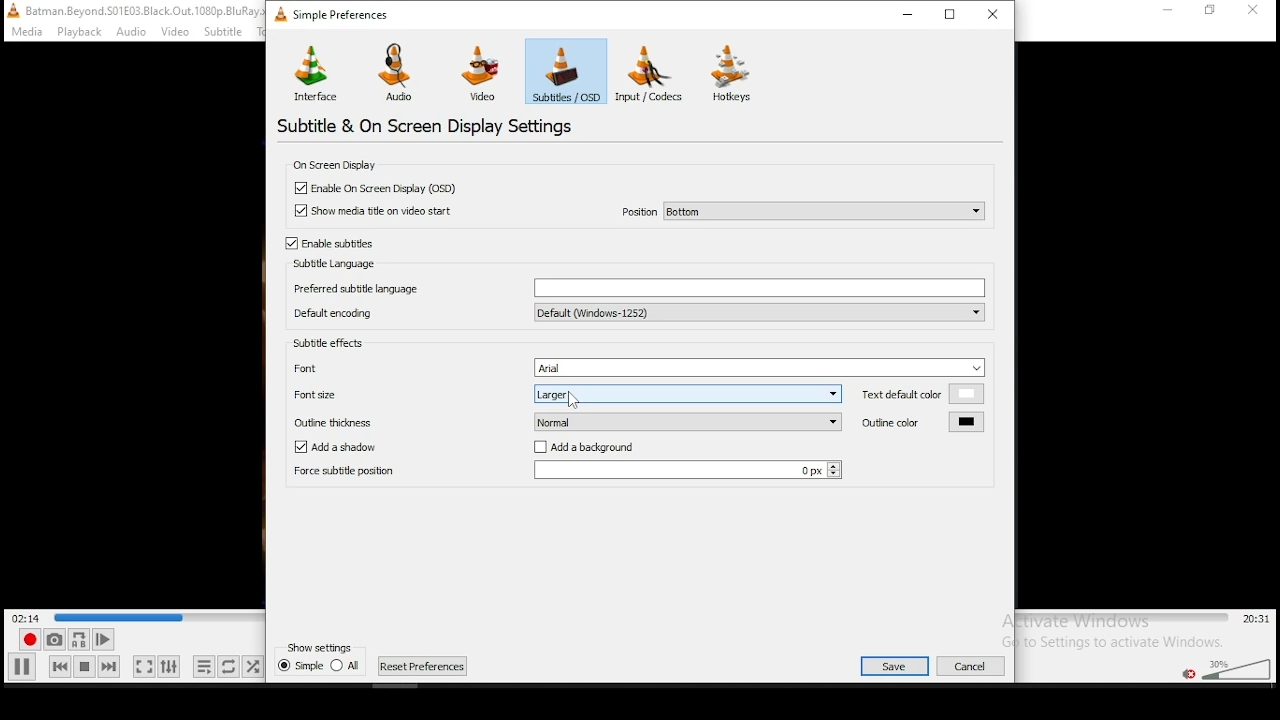 The width and height of the screenshot is (1280, 720). Describe the element at coordinates (132, 32) in the screenshot. I see `` at that location.